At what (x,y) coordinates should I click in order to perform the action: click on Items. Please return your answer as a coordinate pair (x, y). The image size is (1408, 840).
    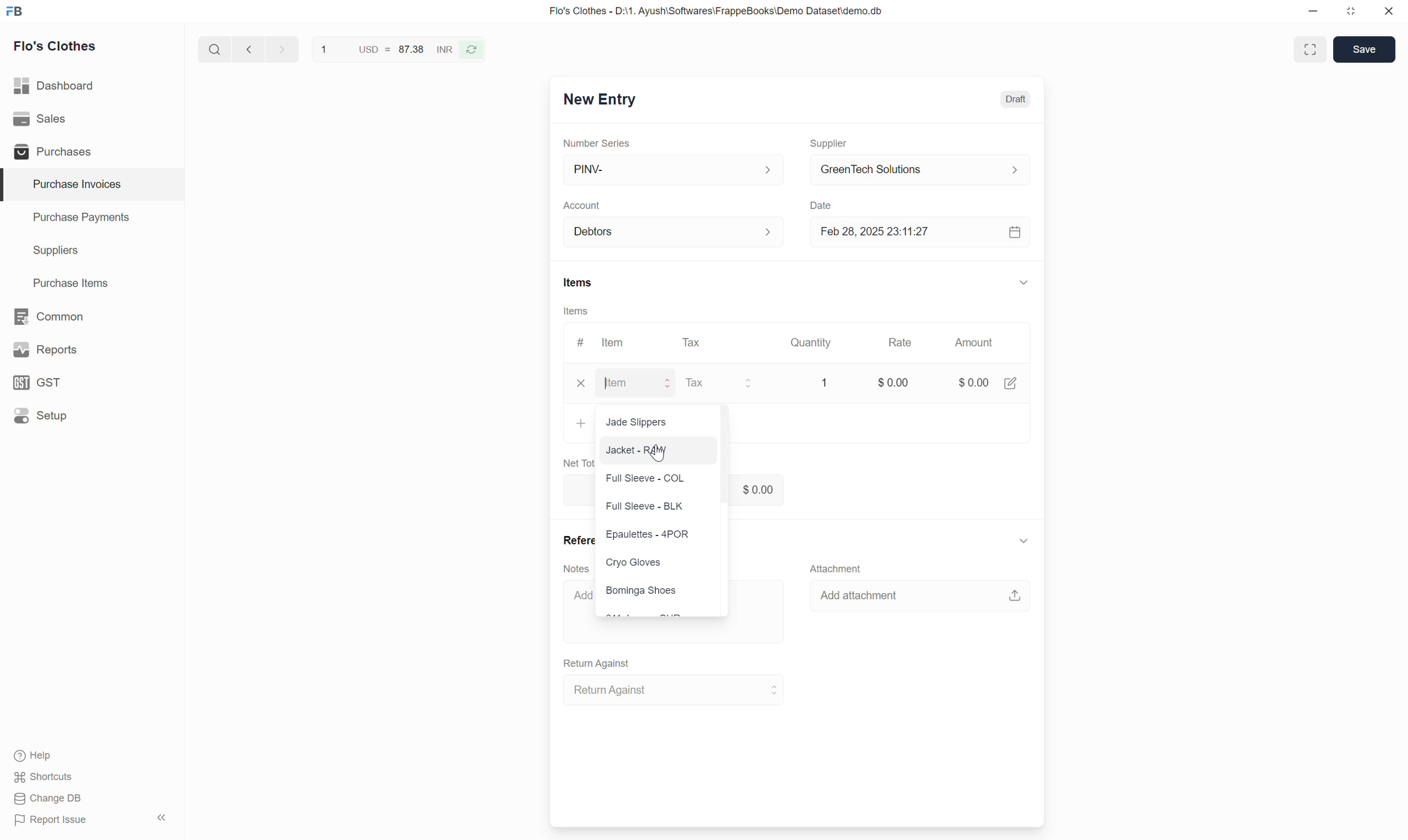
    Looking at the image, I should click on (576, 311).